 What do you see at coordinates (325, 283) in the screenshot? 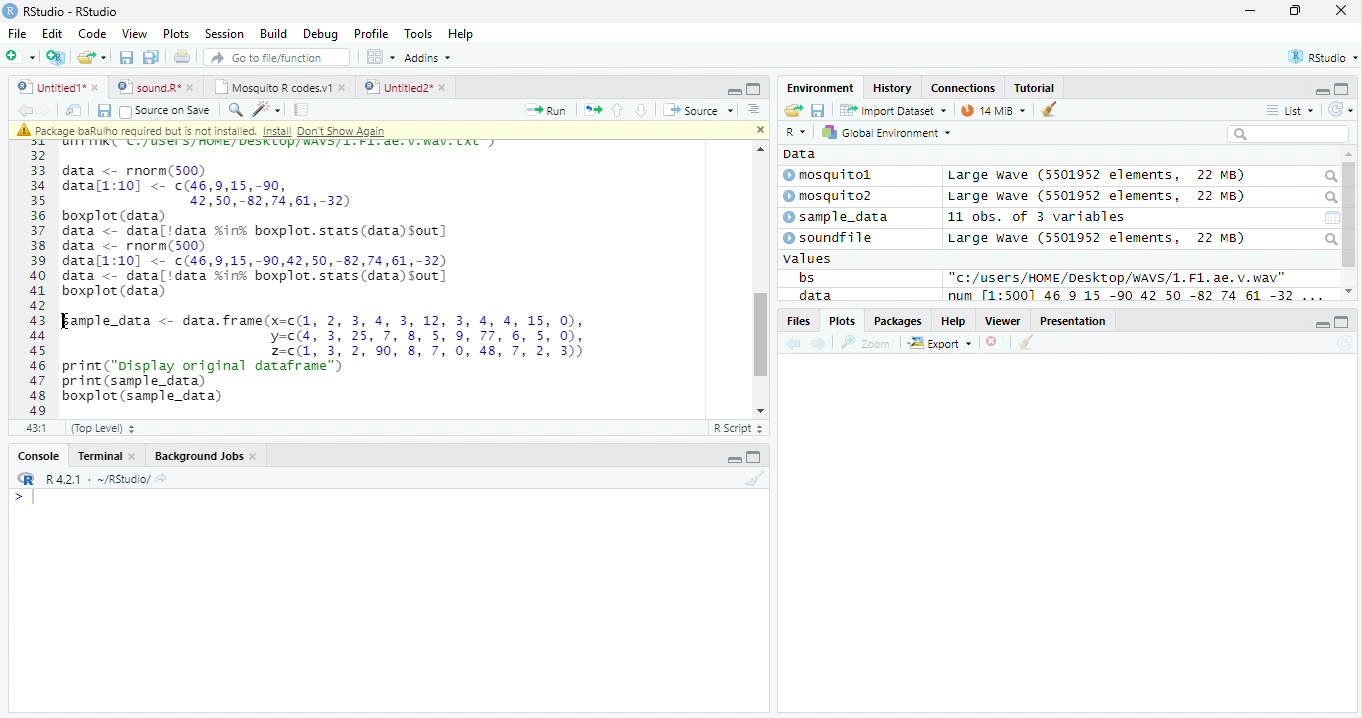
I see `data <- rnorm(500)
data[1:10] <- c(46,9,15,-90,
42,50,-82,74,61,-32)

boxplot (data)

data <- datal!data %in% boxplot.stats (data) Sout]

data <- rnorm(500)

data[1:10] <- c(46,9,15,-90,42,50,-82,74,61,-32)

data <- data['data %im% boxplot.stats (data) Sout]

boxplot (data)

herpre dsc <- data.frame(x-c(i, 2, 3, 4, 3, 12, 3, 4, 4, 15, 0),
y-c(4, 3, 25,7, 8,5, 9,77, 6,5, 0),
2-c(1, 3, 2, 90, 8, 7, 0, 48, 7, 2, 3))

print("pisplay original dataframe”)

print (sample_data)

boxplot (sample_data)` at bounding box center [325, 283].